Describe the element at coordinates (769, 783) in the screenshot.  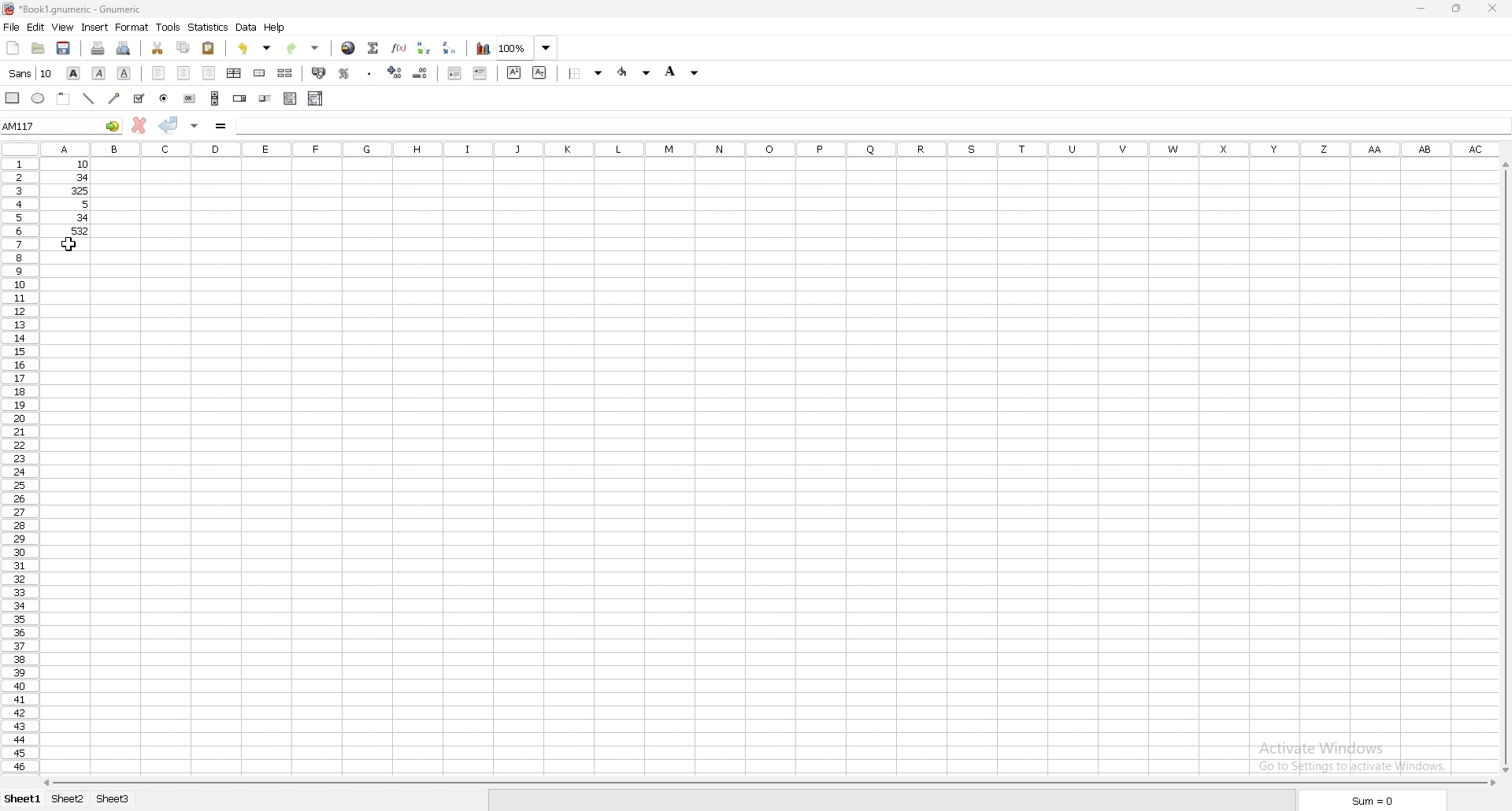
I see `scroll bar` at that location.